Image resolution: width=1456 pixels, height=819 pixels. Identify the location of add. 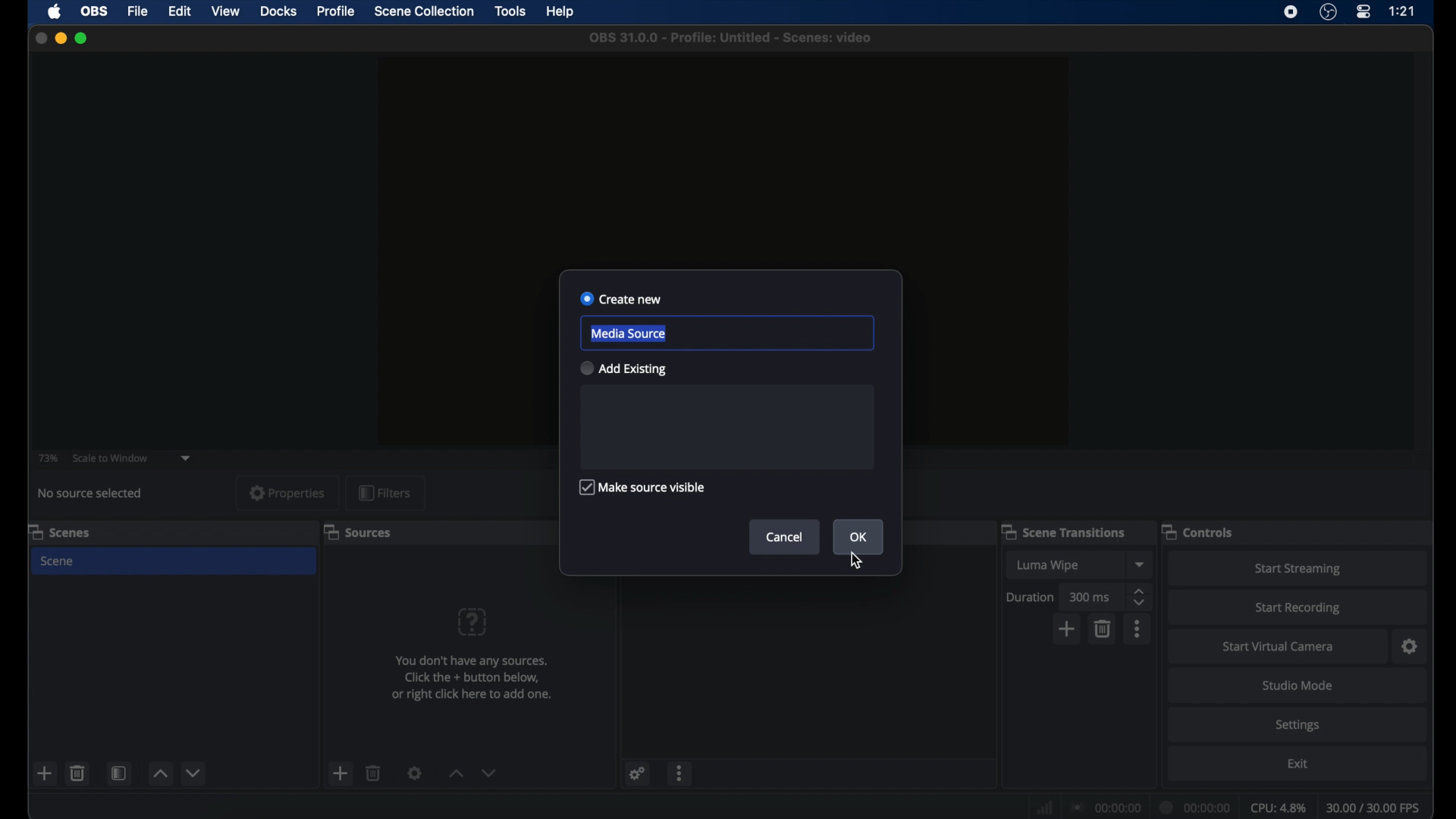
(45, 773).